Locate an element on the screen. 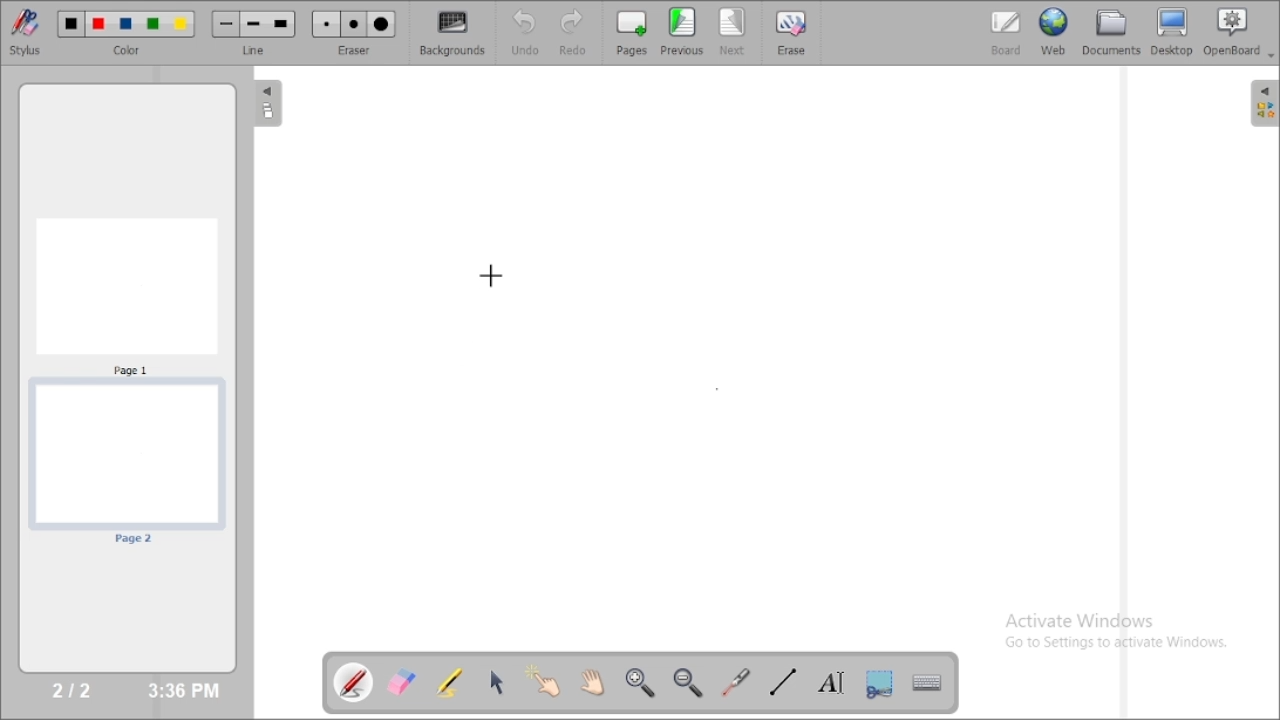 Image resolution: width=1280 pixels, height=720 pixels. Small eraser is located at coordinates (326, 25).